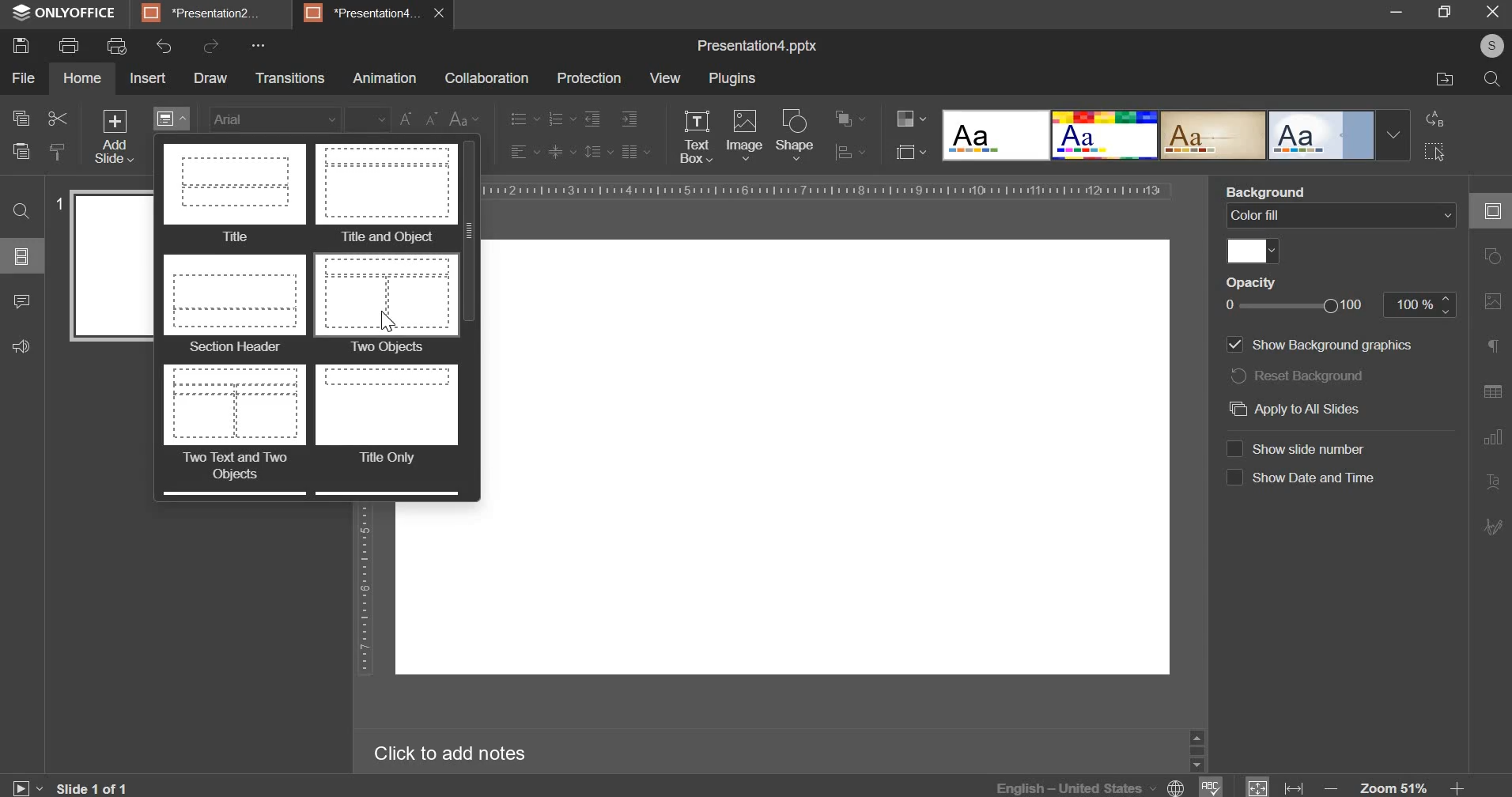 This screenshot has width=1512, height=797. What do you see at coordinates (1393, 788) in the screenshot?
I see `zoom 51%` at bounding box center [1393, 788].